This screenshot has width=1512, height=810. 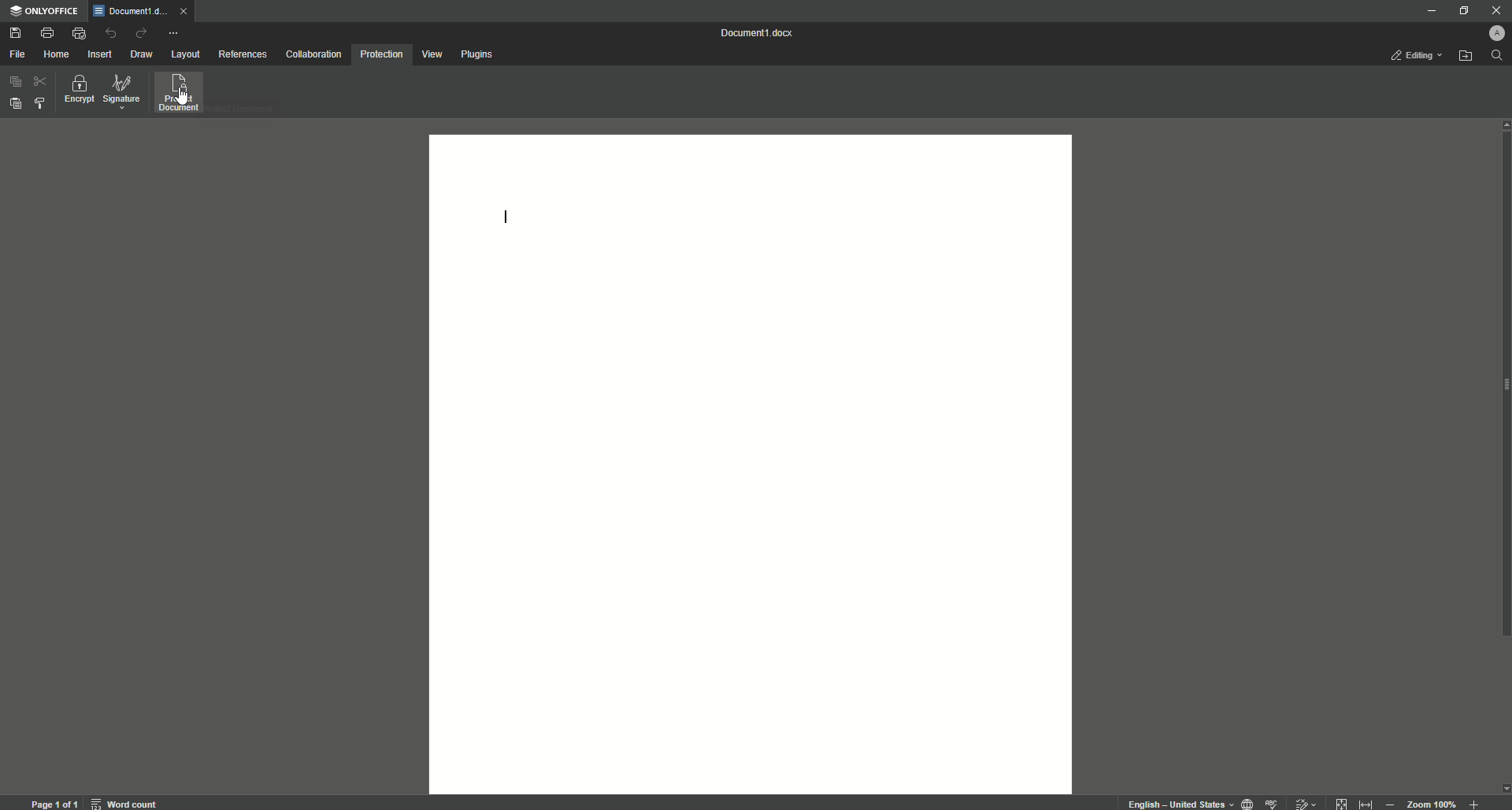 I want to click on Tab 1, so click(x=132, y=12).